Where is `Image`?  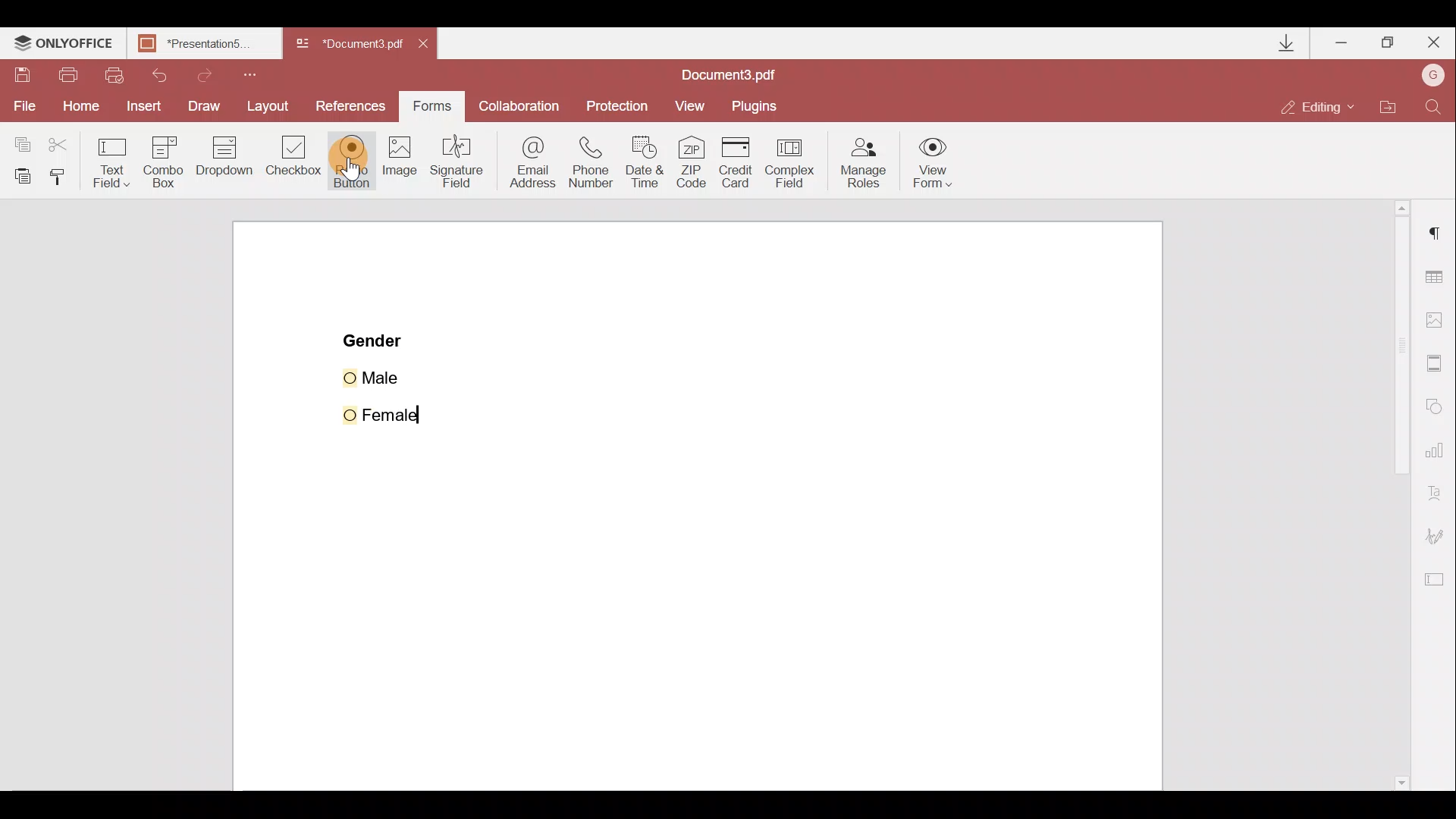
Image is located at coordinates (401, 171).